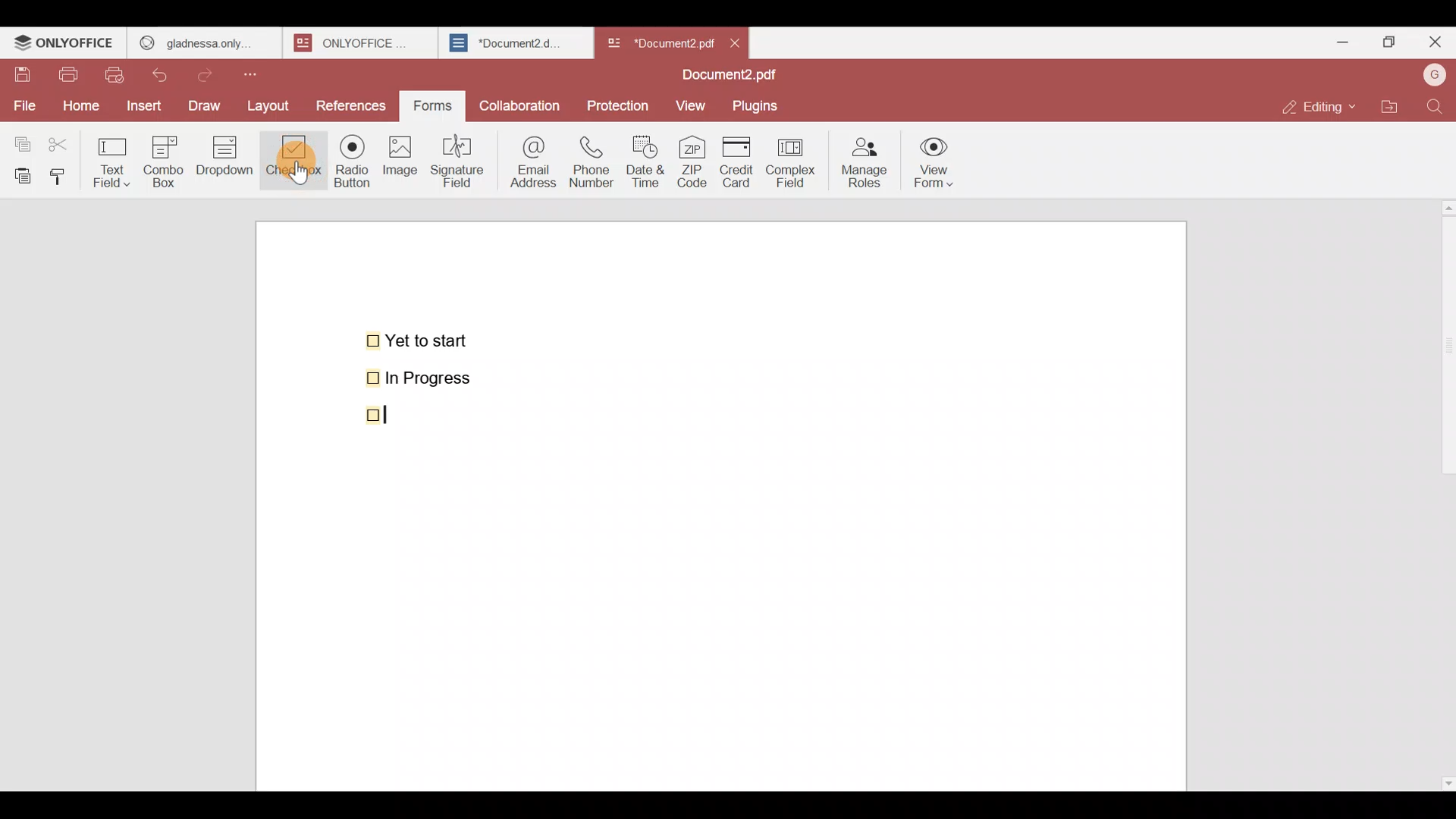  Describe the element at coordinates (619, 105) in the screenshot. I see `Protection` at that location.